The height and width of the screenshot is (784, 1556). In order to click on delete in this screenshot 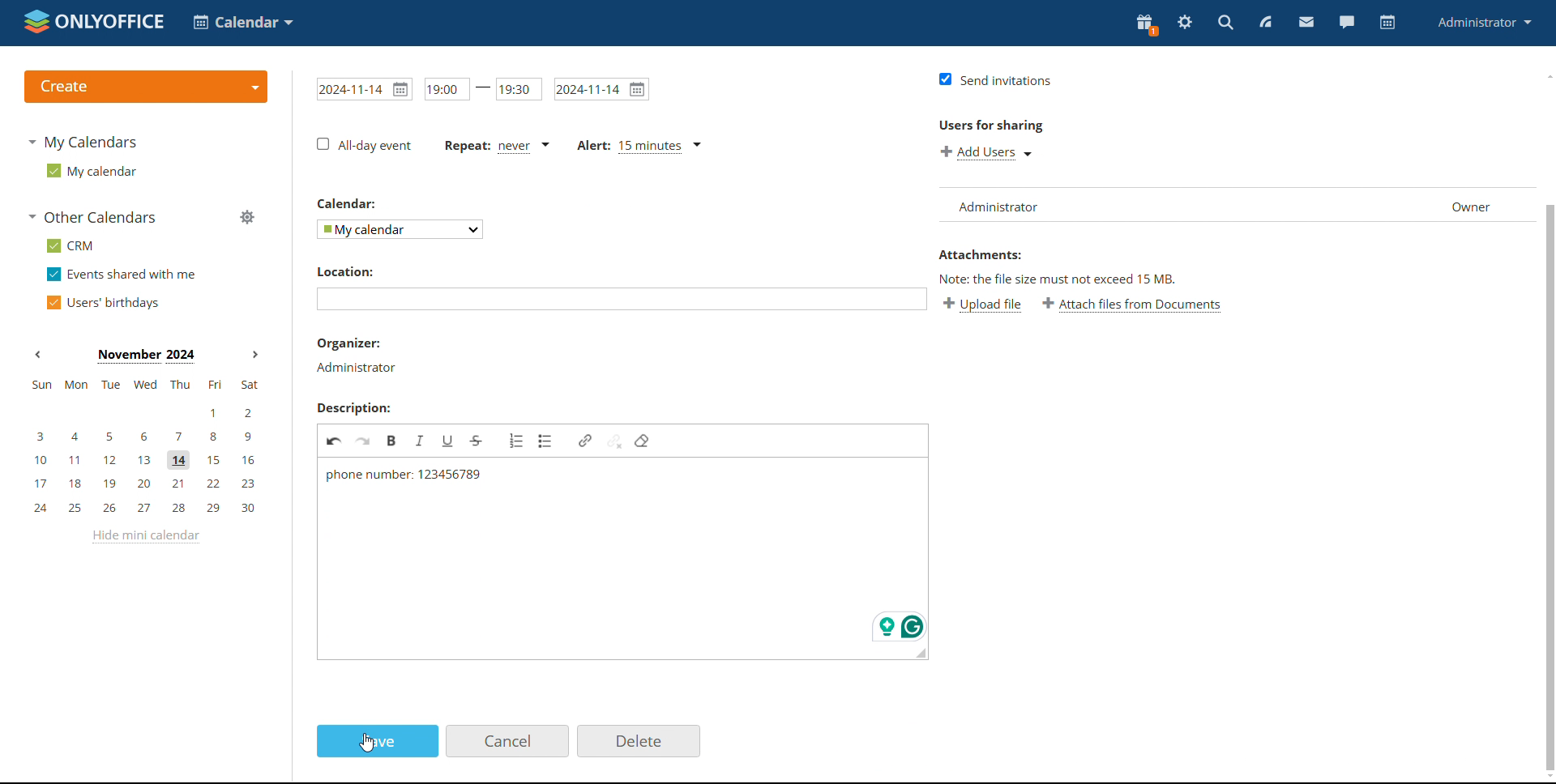, I will do `click(639, 740)`.